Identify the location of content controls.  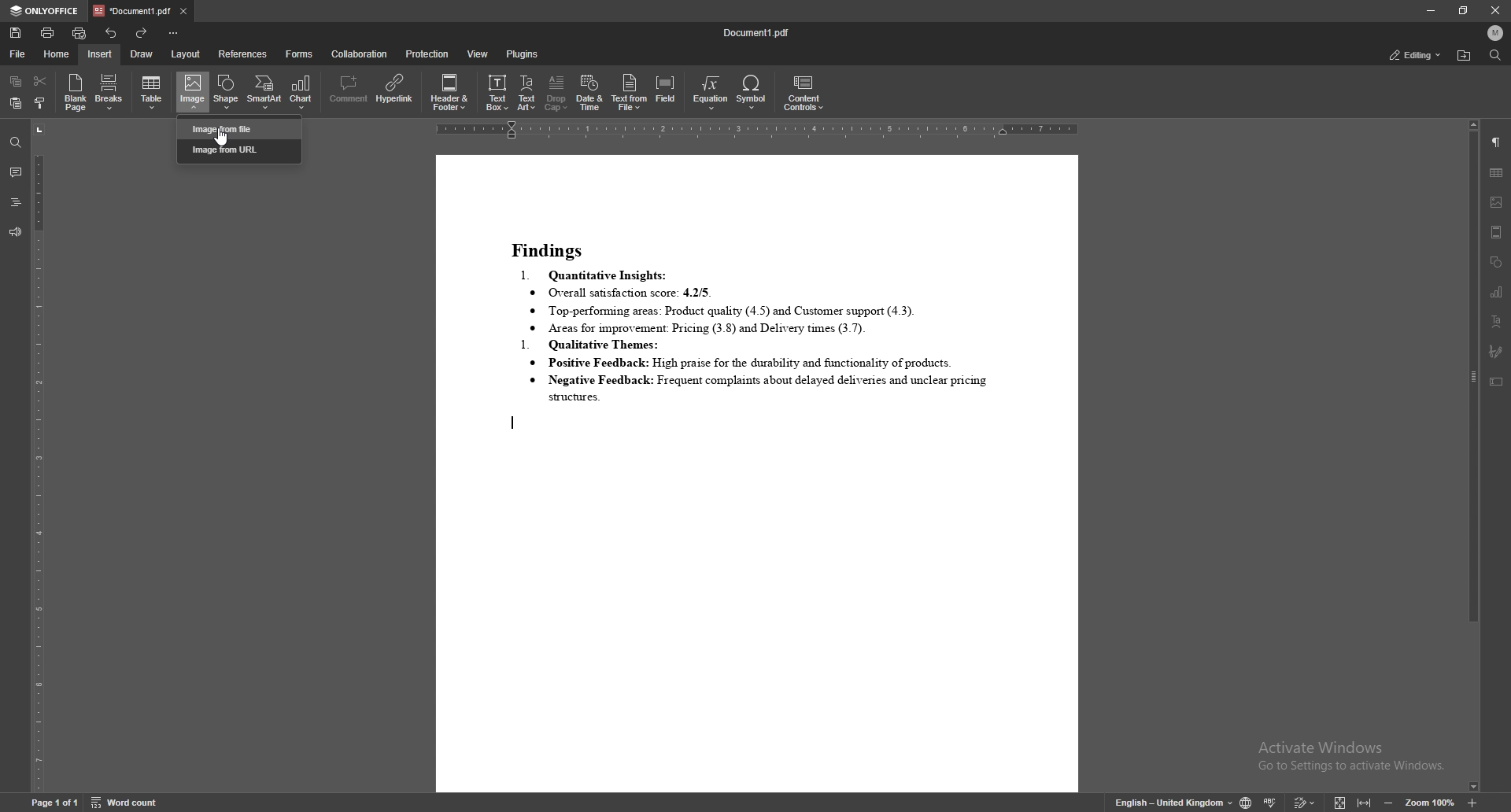
(807, 93).